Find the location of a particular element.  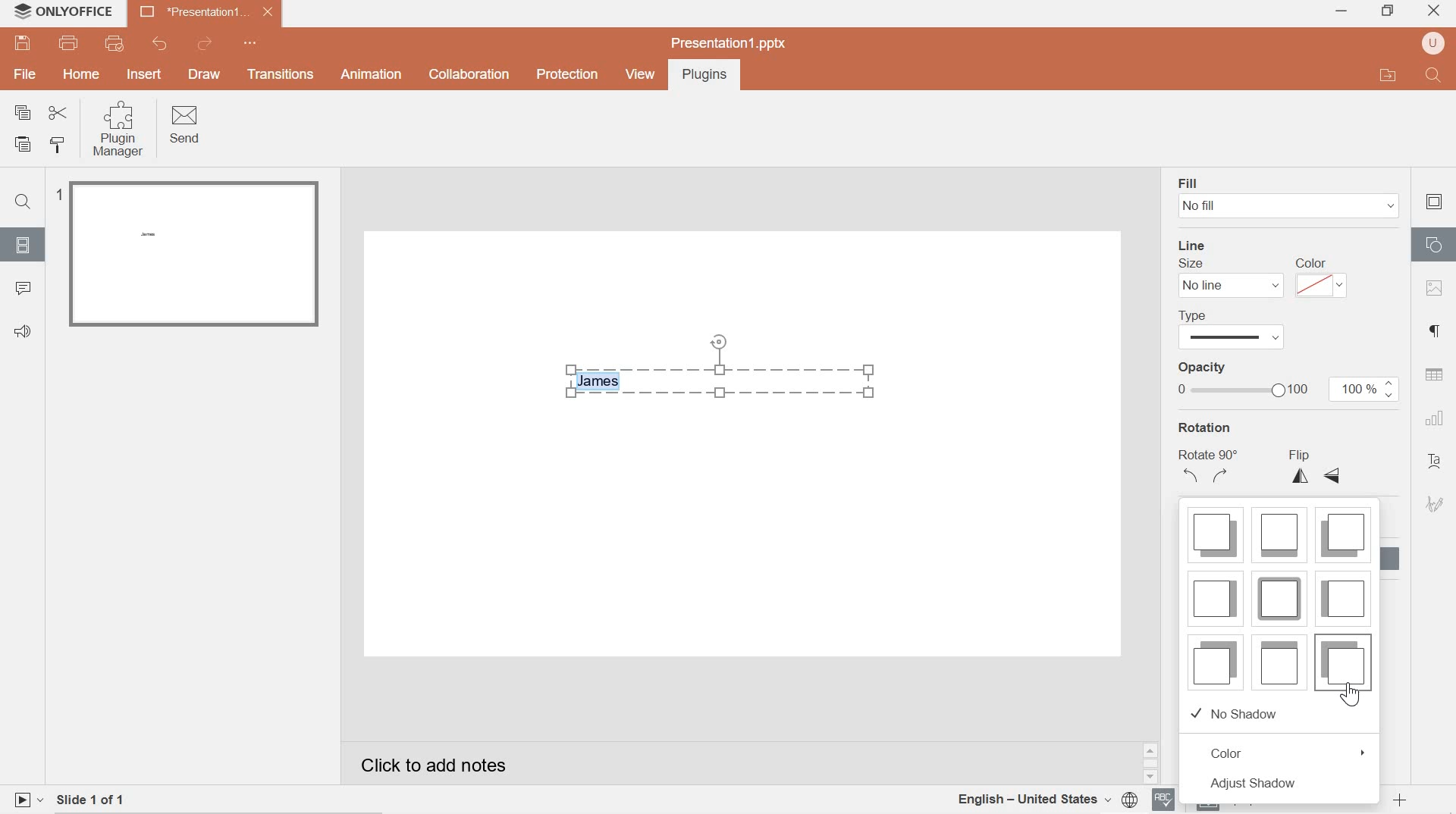

minimize is located at coordinates (1341, 12).